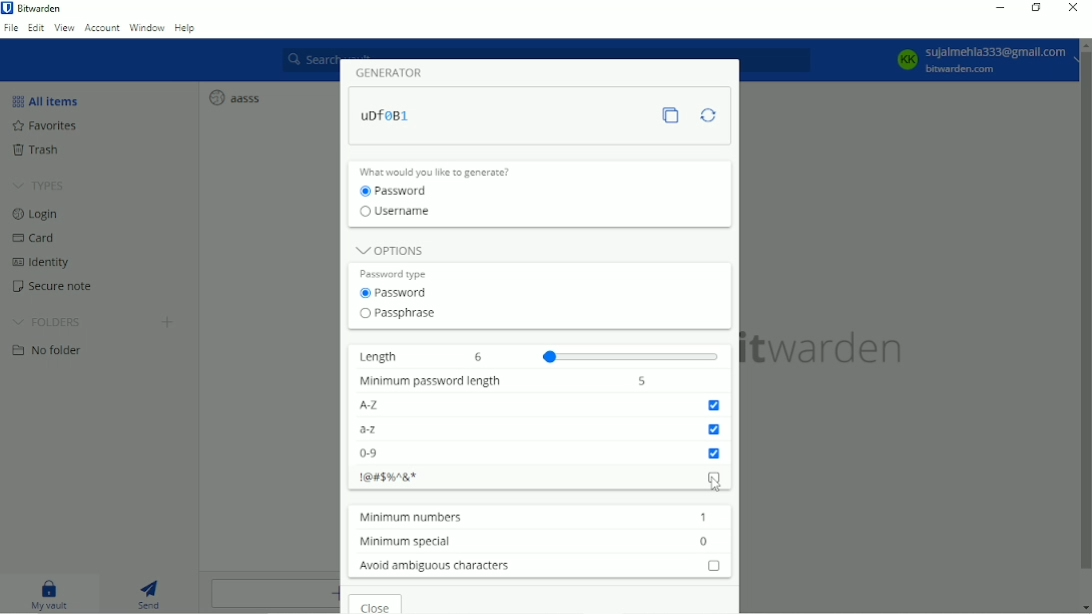  I want to click on Copy password, so click(671, 116).